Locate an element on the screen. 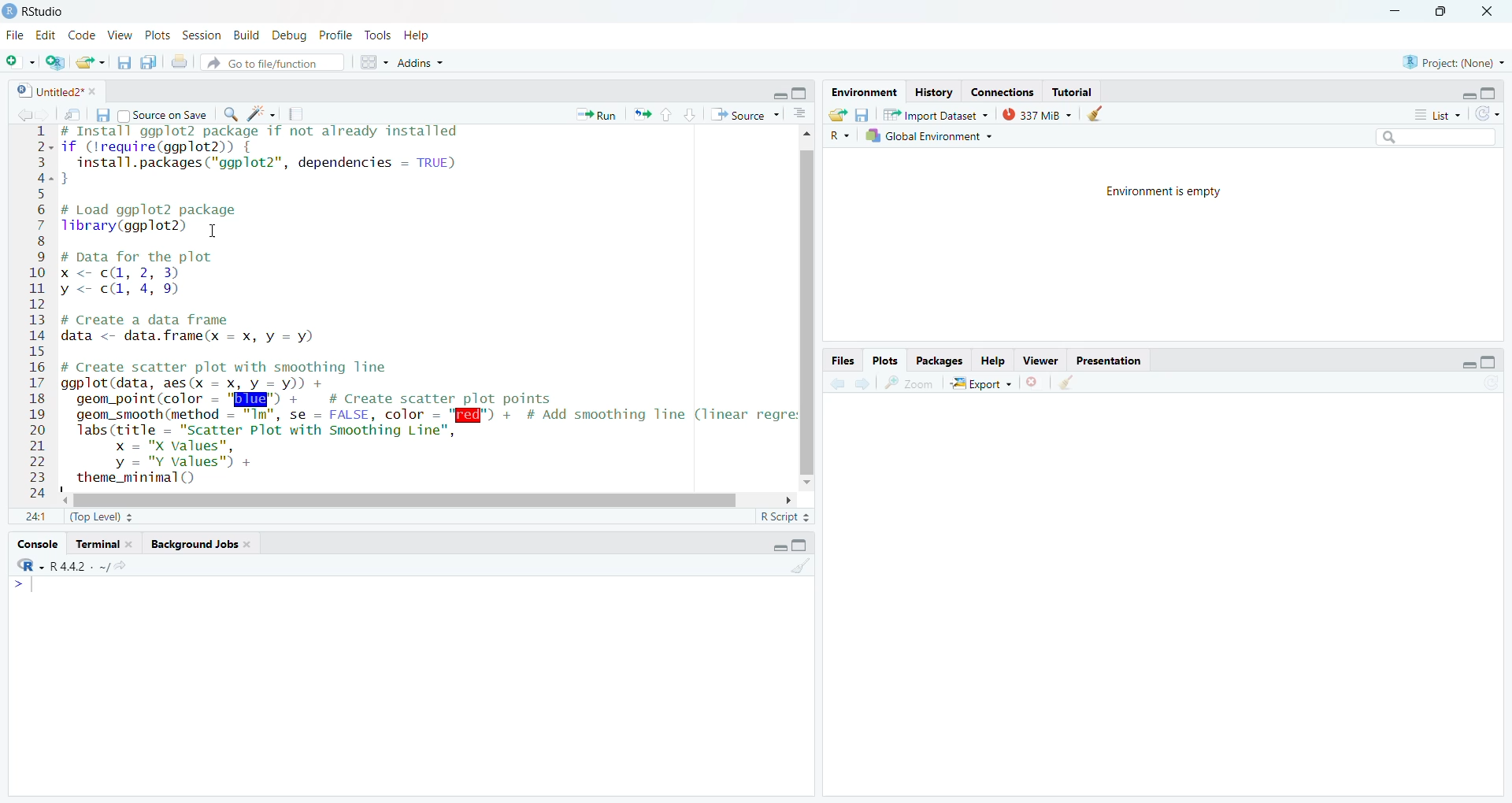  Export ~ is located at coordinates (984, 386).